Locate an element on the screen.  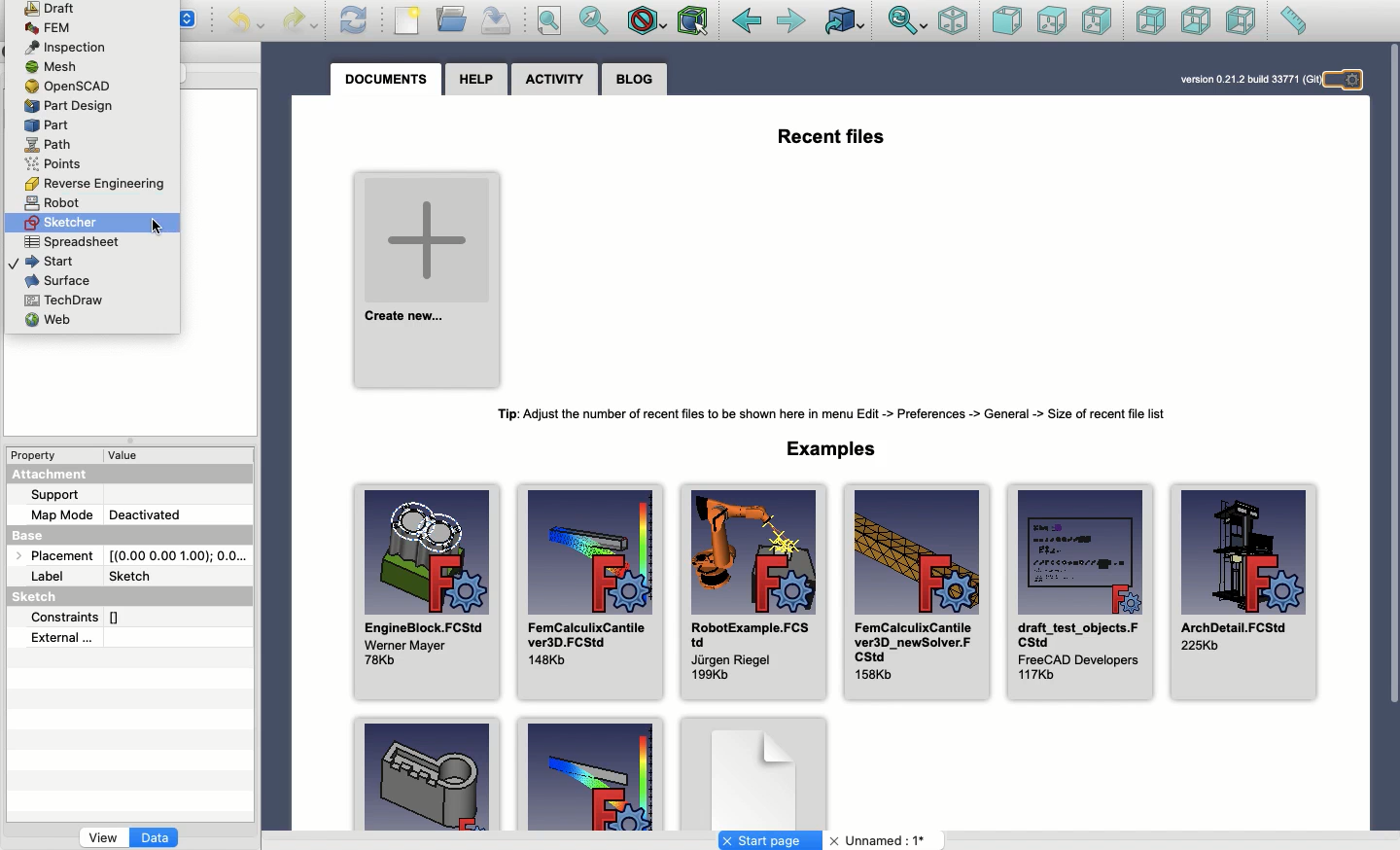
External  is located at coordinates (62, 639).